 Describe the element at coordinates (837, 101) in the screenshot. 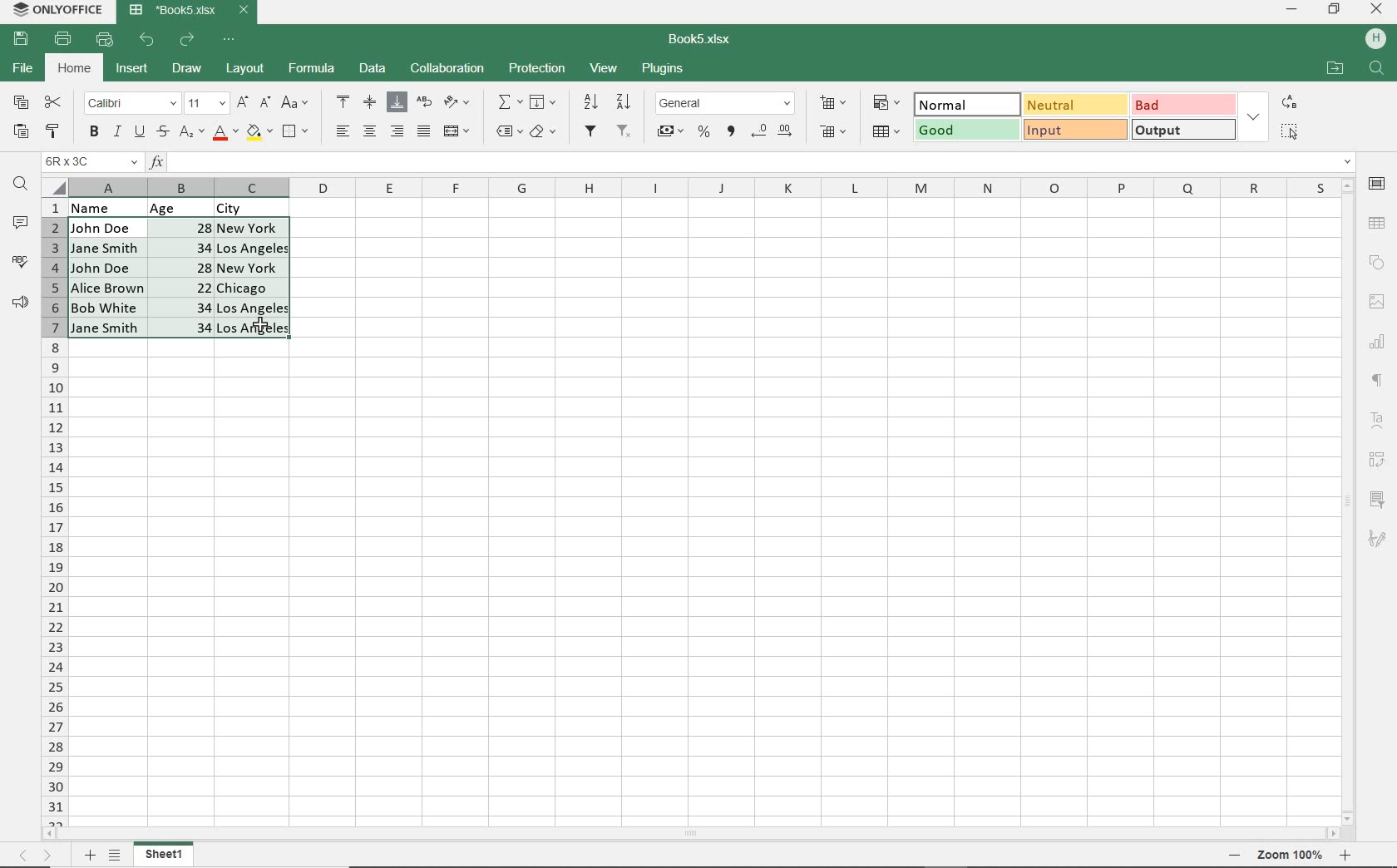

I see `INSERT CELLS` at that location.